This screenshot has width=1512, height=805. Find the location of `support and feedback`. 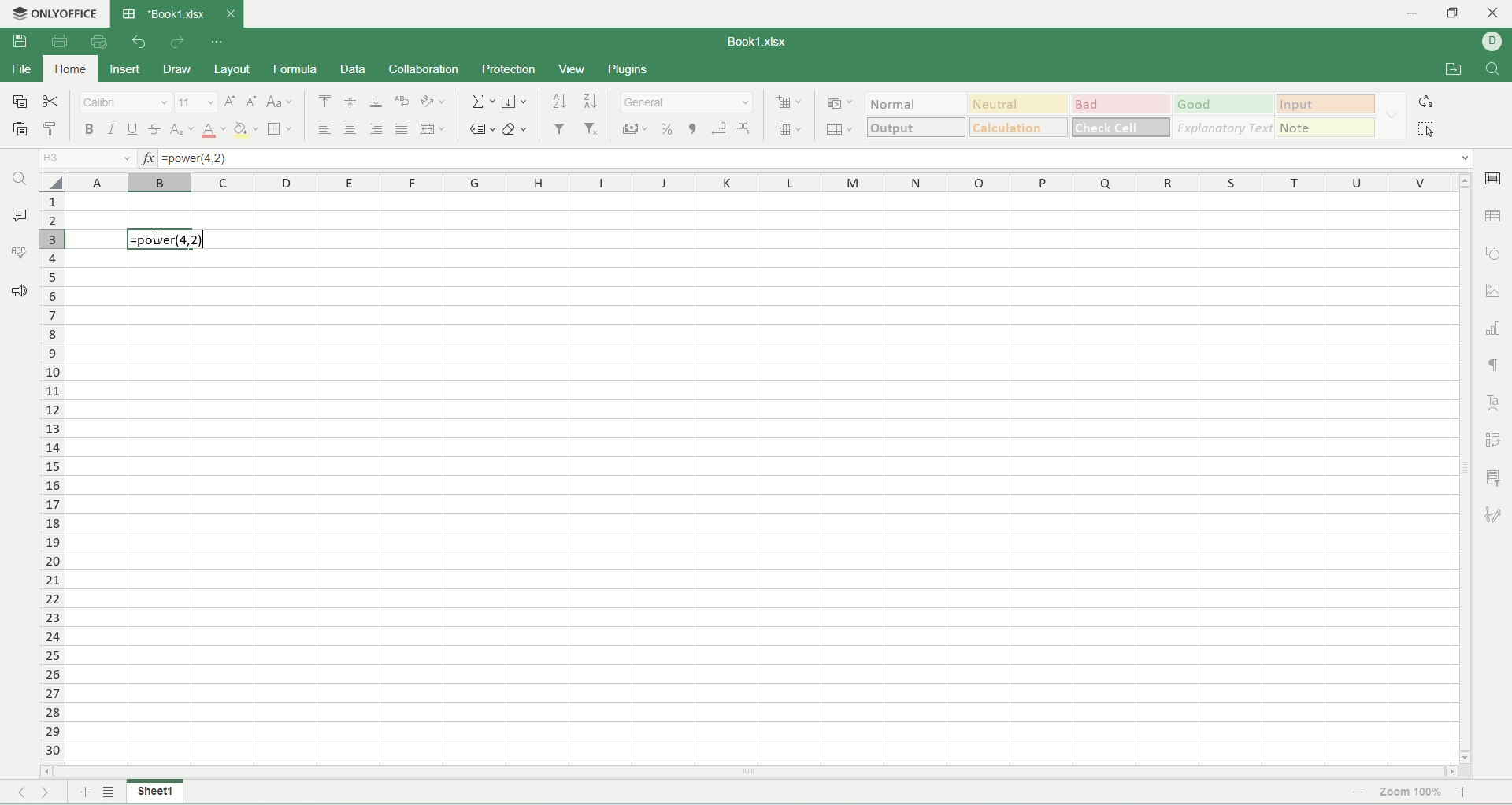

support and feedback is located at coordinates (20, 293).